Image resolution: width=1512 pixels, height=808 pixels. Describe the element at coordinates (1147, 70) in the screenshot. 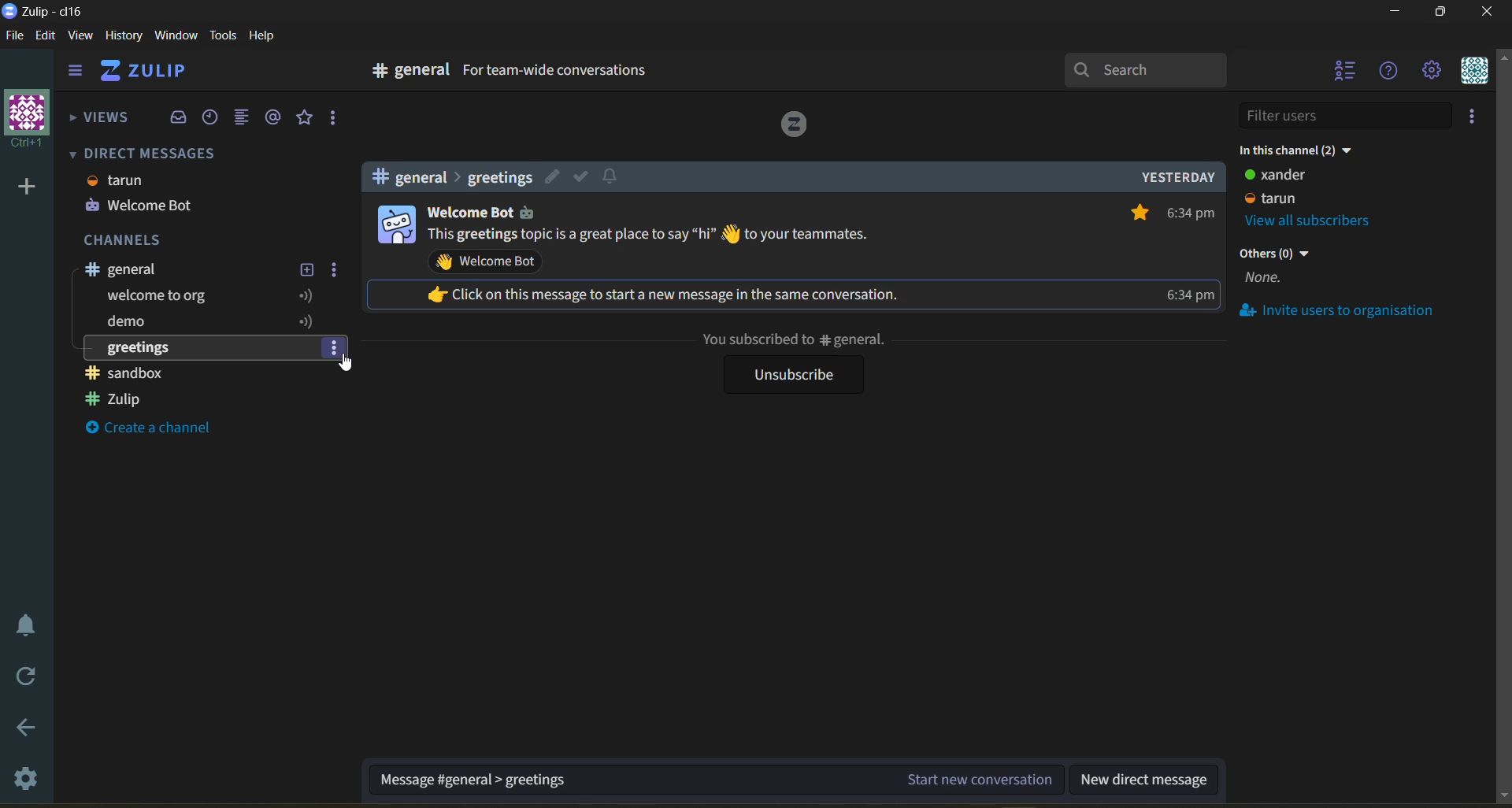

I see `search` at that location.